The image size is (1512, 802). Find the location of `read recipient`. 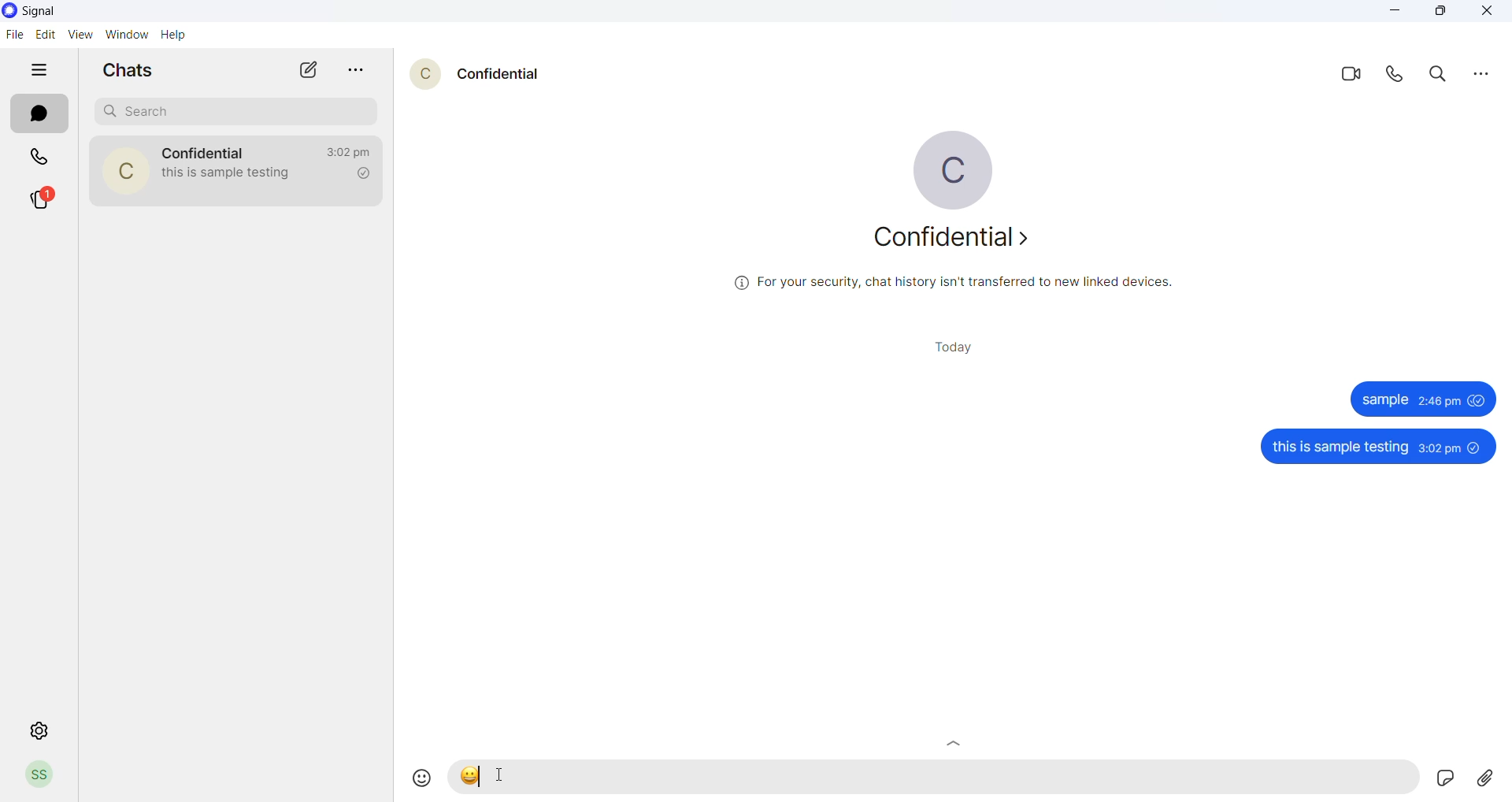

read recipient is located at coordinates (365, 175).